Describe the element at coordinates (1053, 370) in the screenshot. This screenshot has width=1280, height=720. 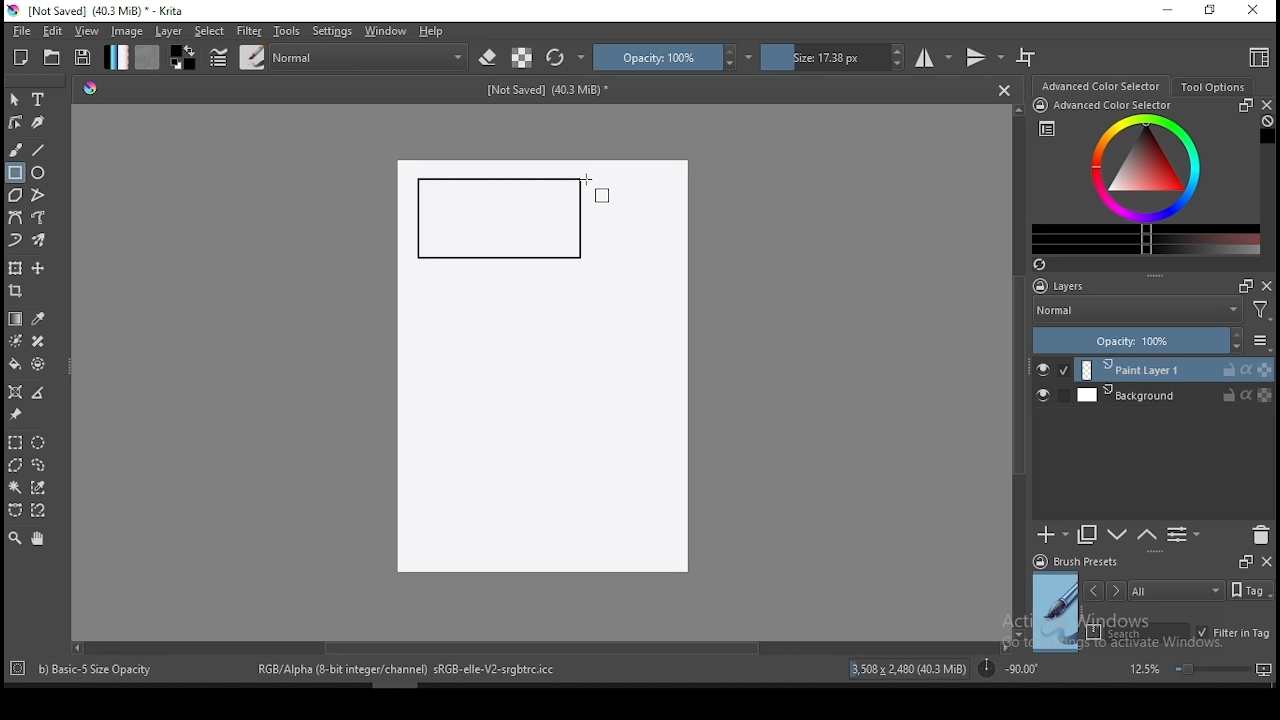
I see `layer visibility on/off` at that location.